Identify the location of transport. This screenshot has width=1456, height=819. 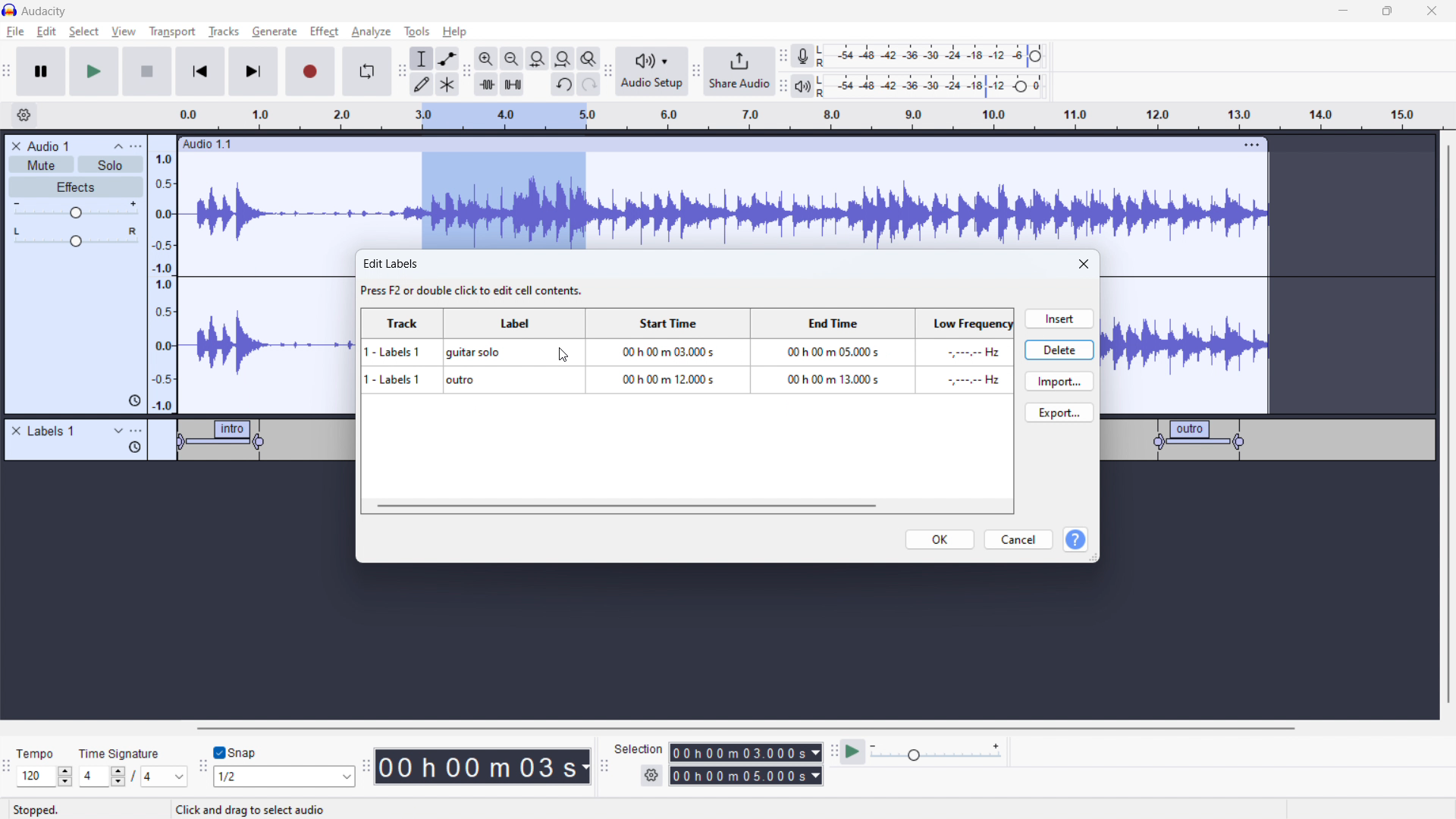
(172, 31).